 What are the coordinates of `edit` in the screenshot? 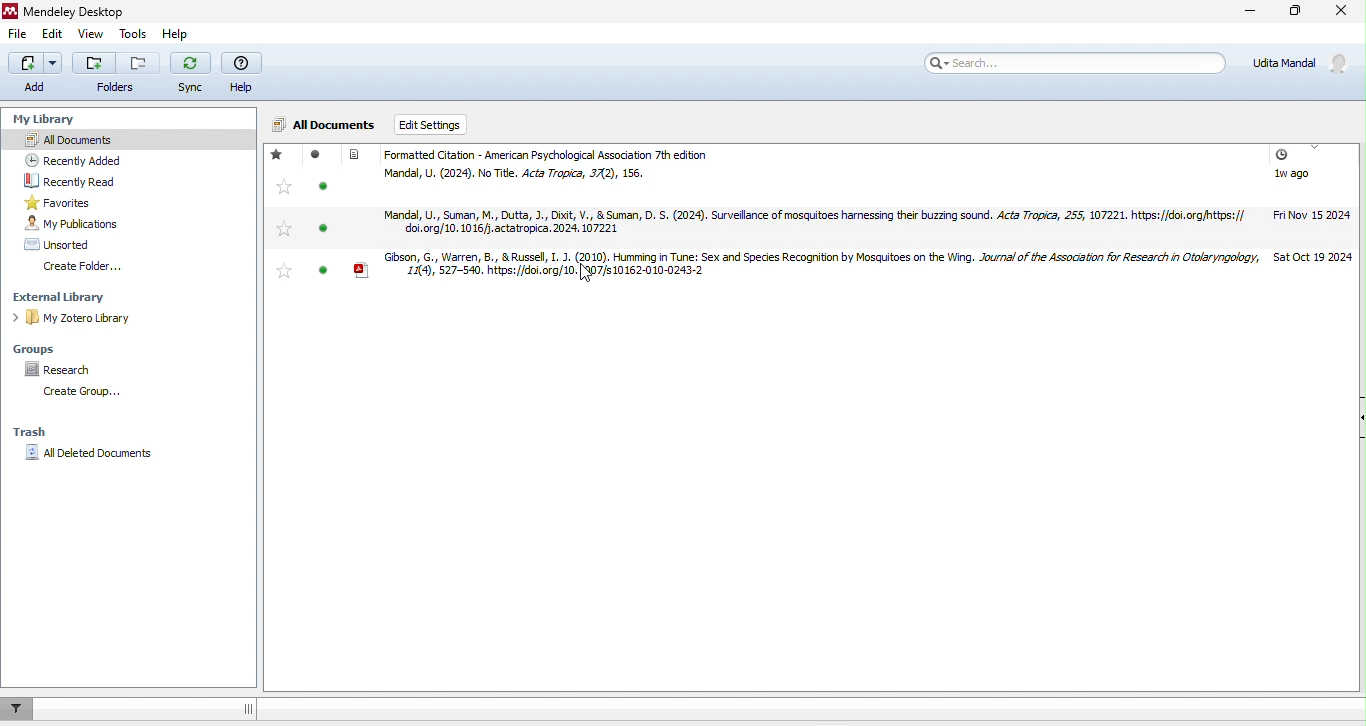 It's located at (57, 34).